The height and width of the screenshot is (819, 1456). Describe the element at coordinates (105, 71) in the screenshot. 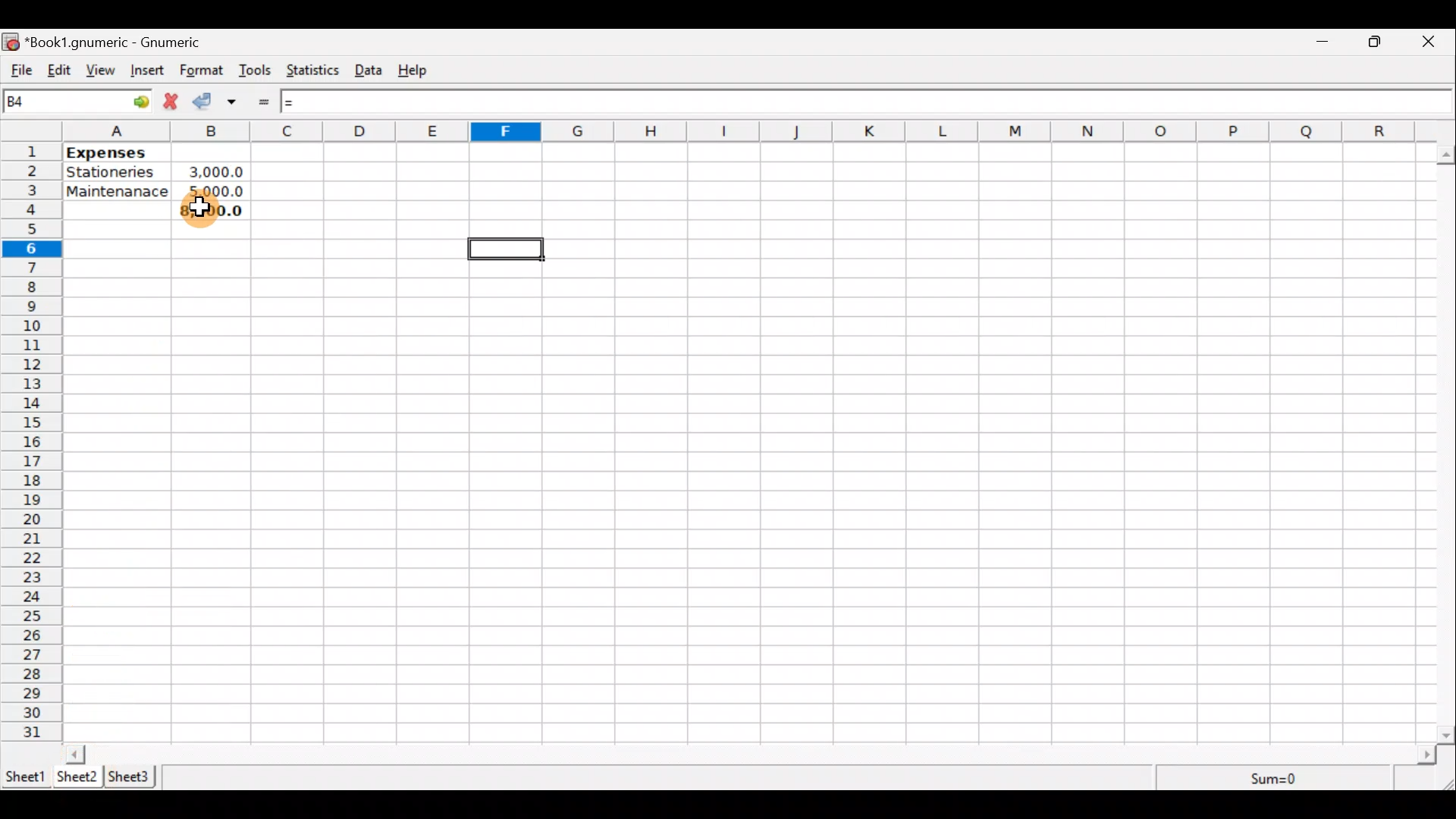

I see `View` at that location.